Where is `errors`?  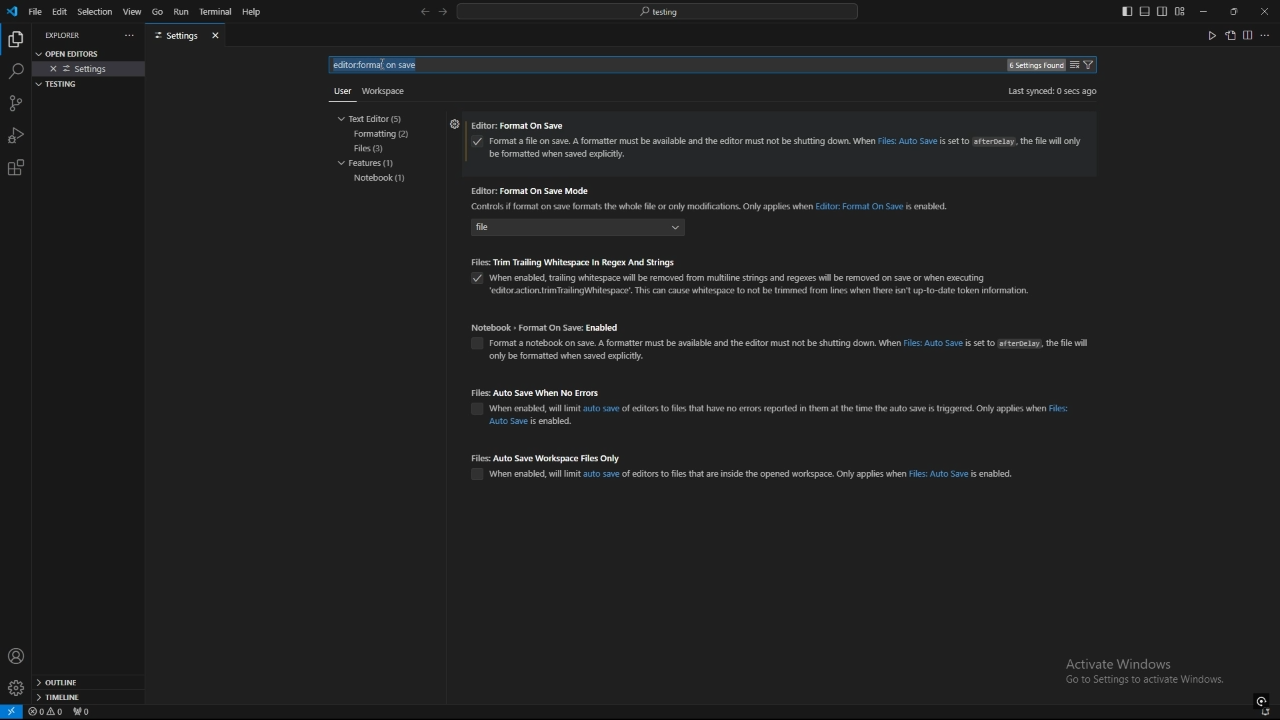 errors is located at coordinates (46, 712).